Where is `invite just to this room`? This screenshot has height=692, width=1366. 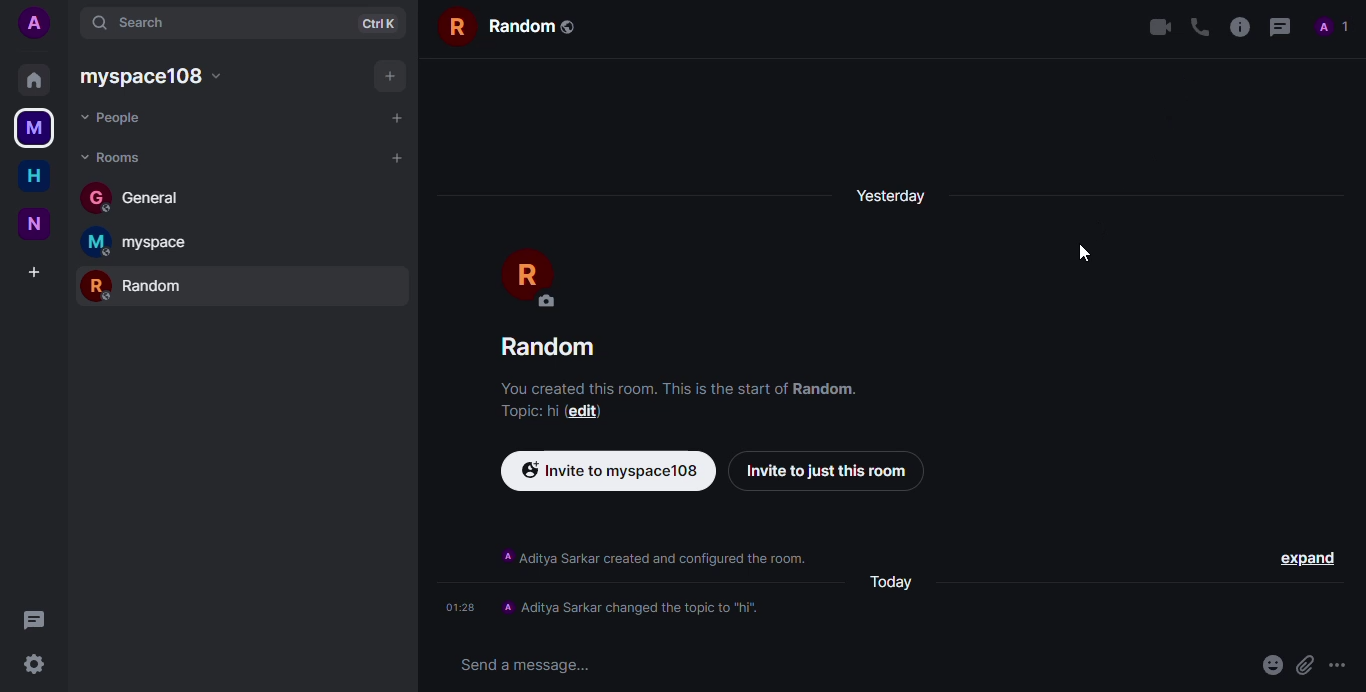
invite just to this room is located at coordinates (830, 470).